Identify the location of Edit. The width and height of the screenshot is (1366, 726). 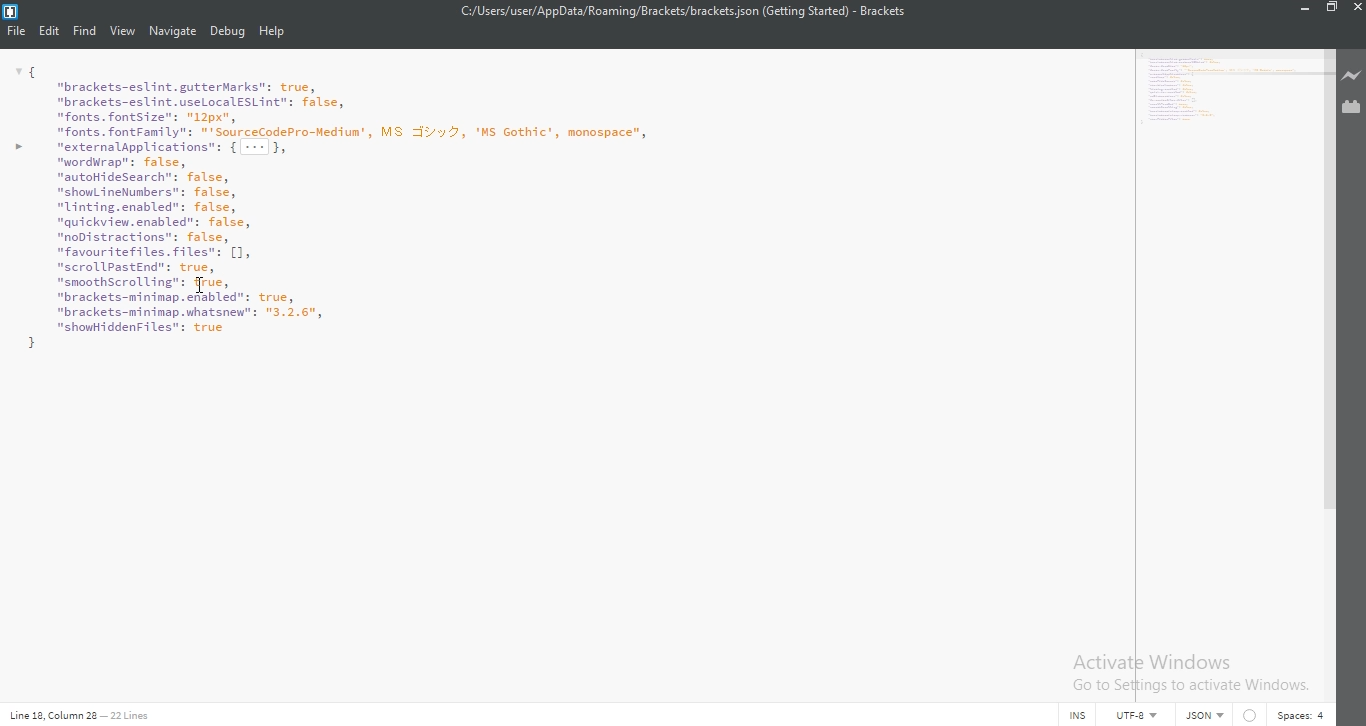
(49, 32).